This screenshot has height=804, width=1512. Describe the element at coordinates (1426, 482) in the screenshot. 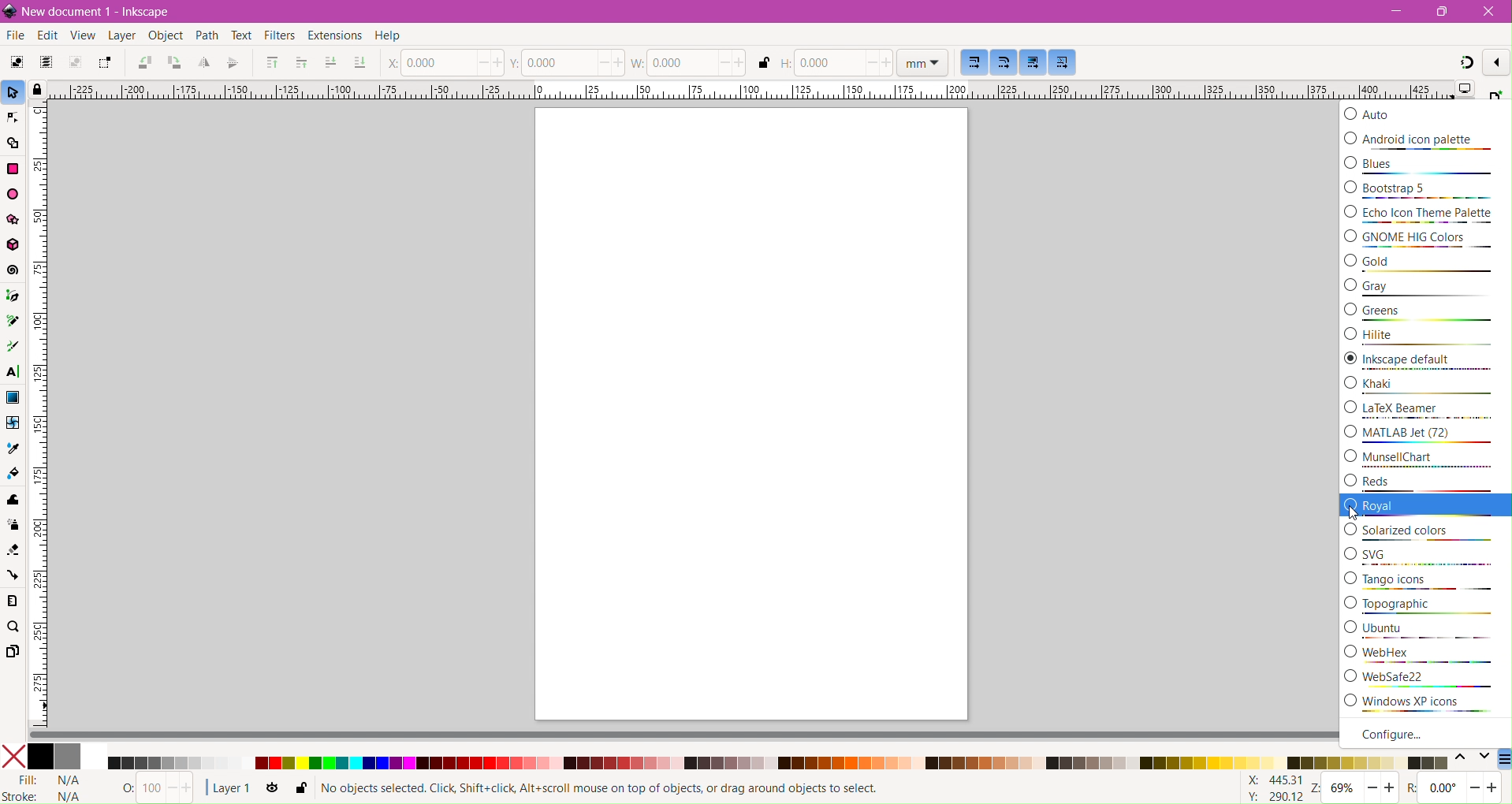

I see `Reds` at that location.